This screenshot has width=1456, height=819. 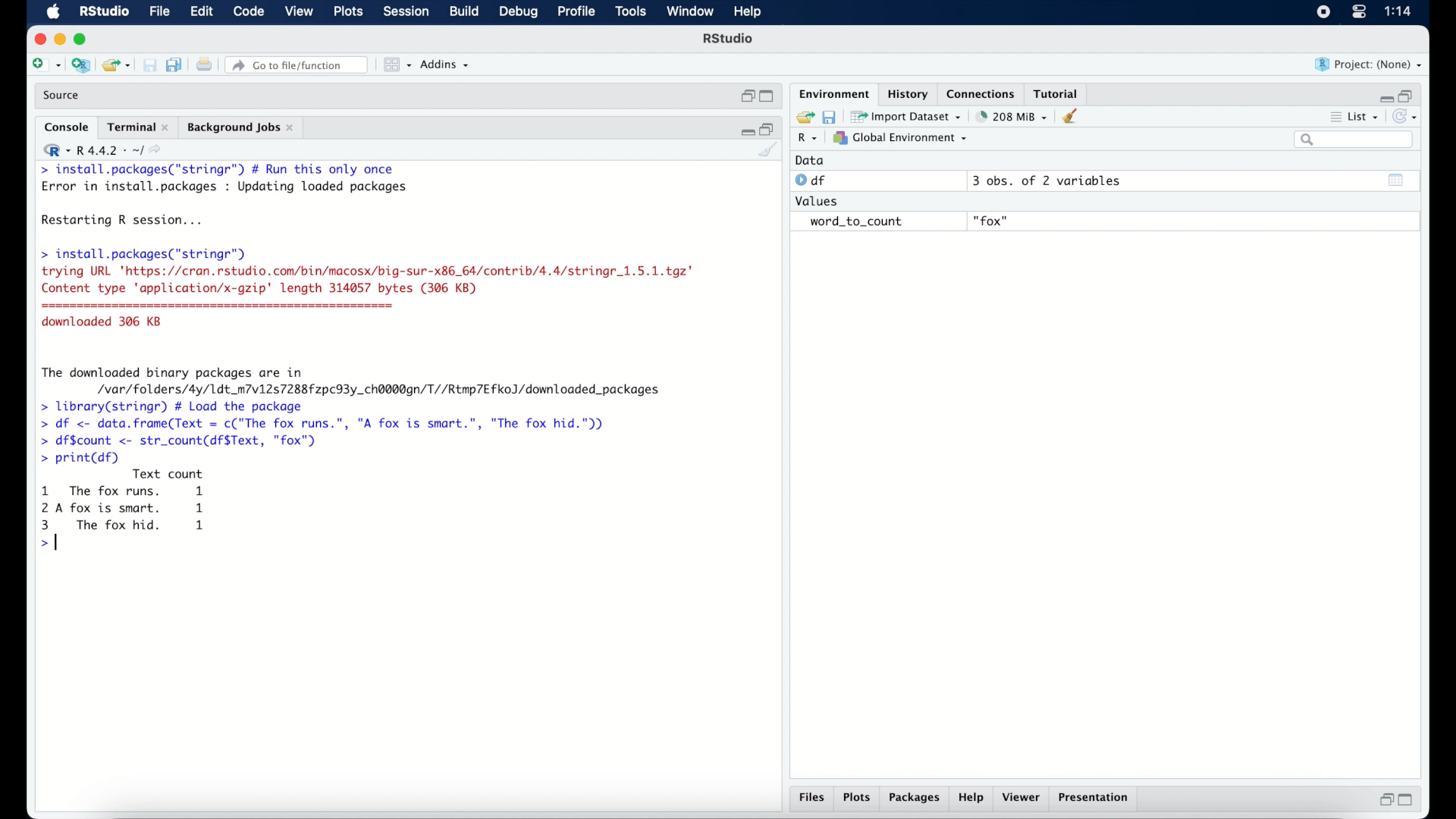 I want to click on create new project, so click(x=80, y=66).